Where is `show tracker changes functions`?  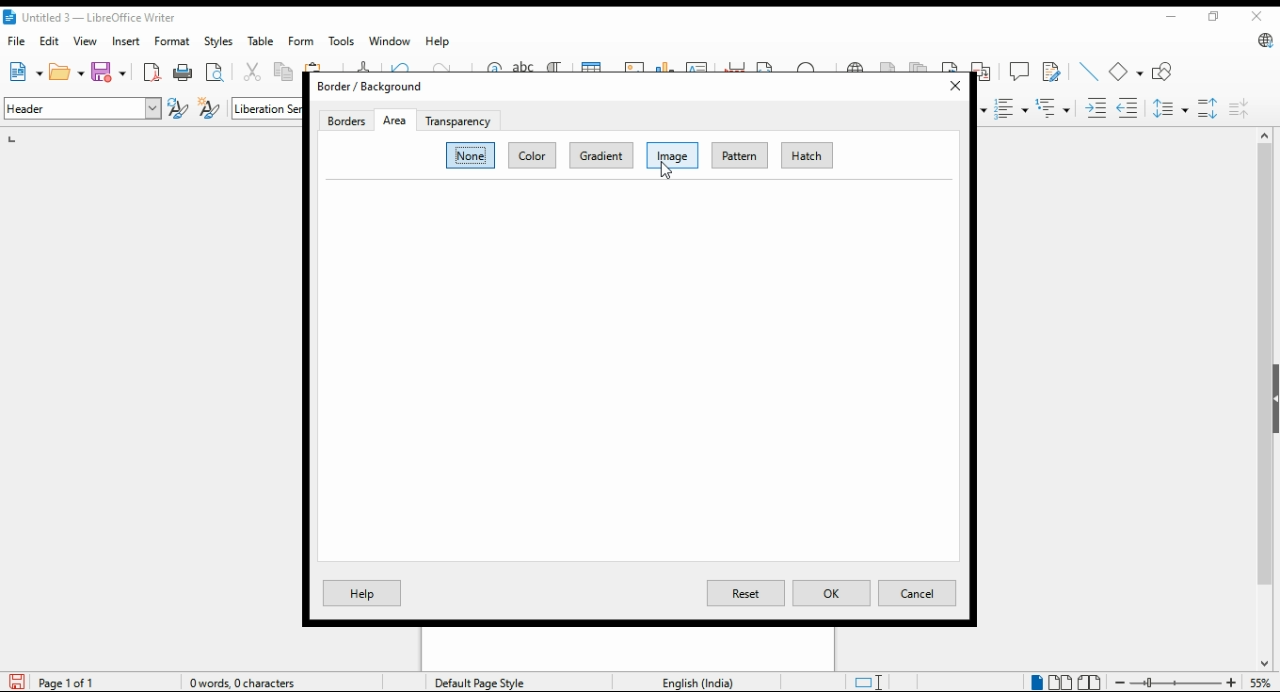
show tracker changes functions is located at coordinates (1054, 70).